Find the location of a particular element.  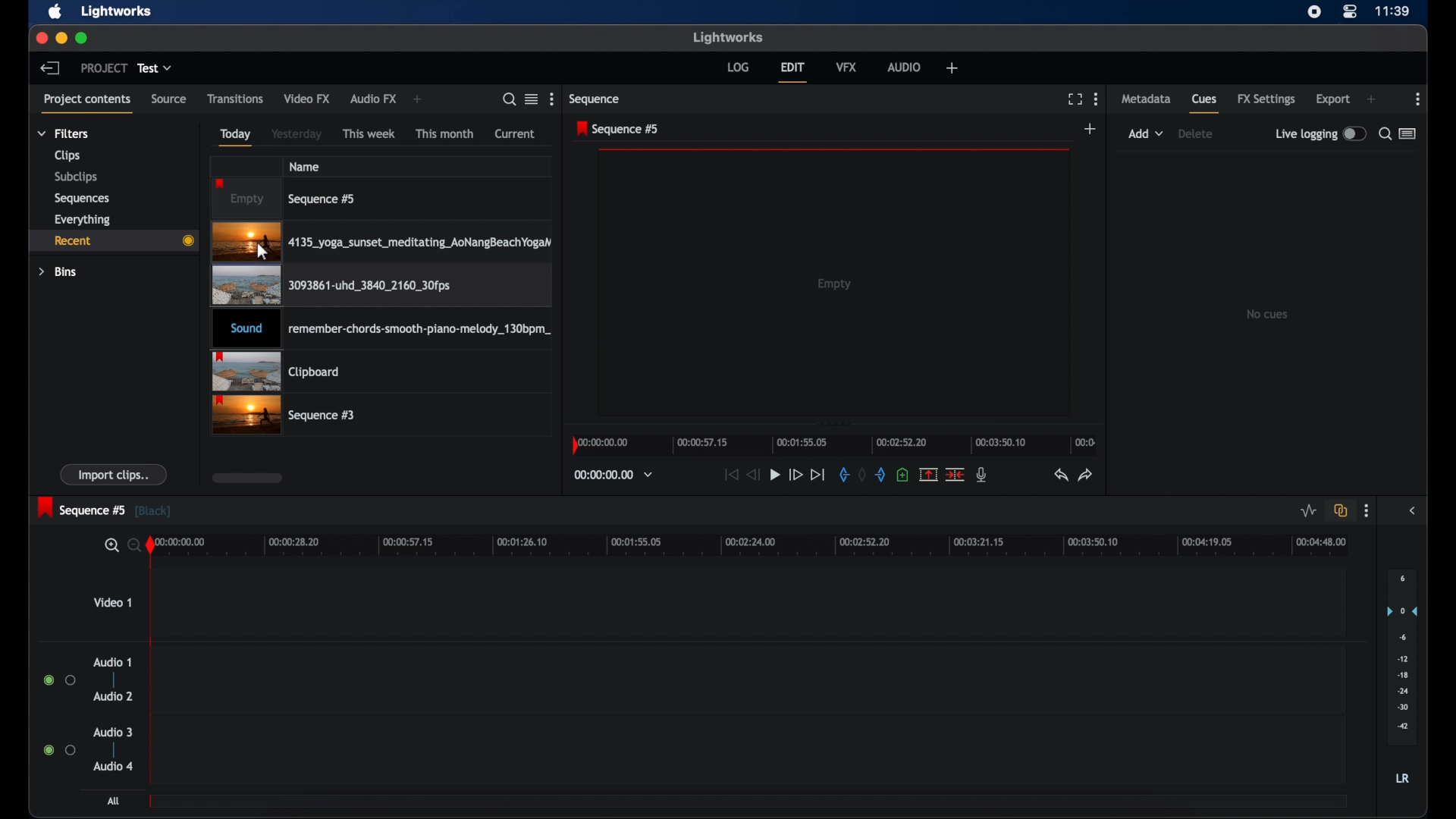

play is located at coordinates (775, 475).